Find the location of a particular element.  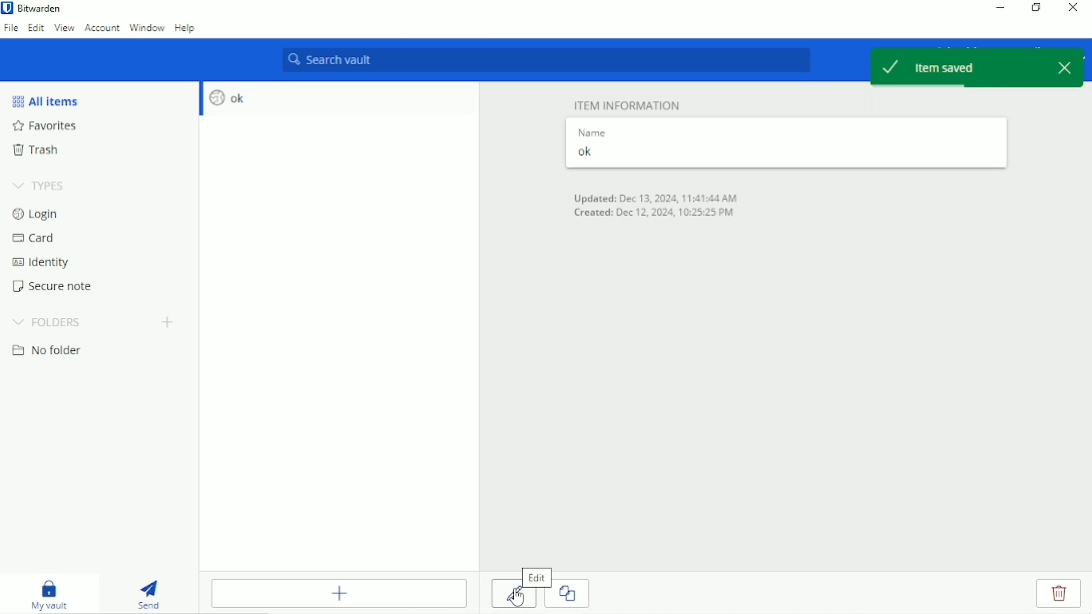

Item information is located at coordinates (627, 105).